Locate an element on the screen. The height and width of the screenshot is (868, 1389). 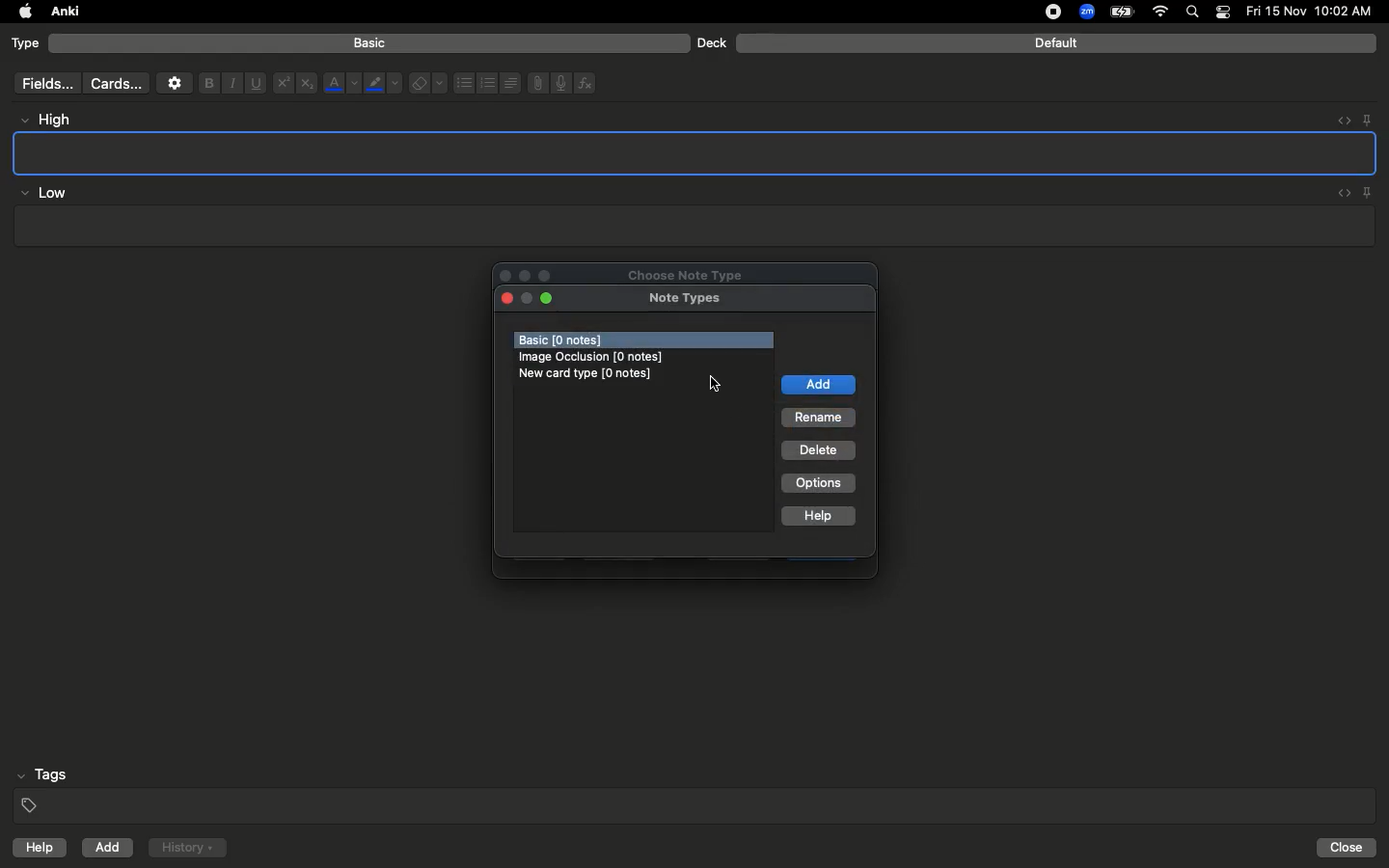
Basic (0 notes) is located at coordinates (644, 340).